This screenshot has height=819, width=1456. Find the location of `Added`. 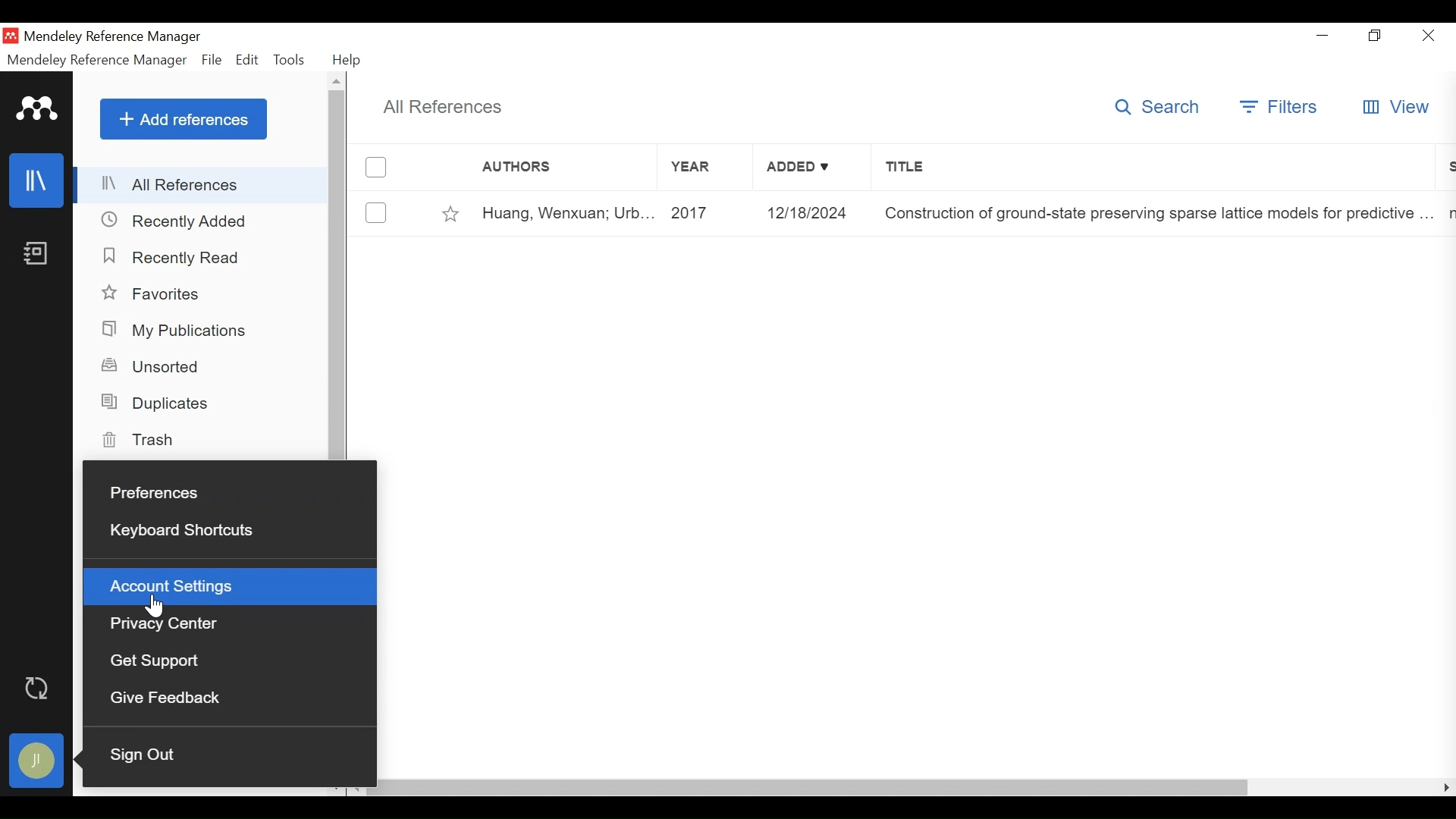

Added is located at coordinates (814, 171).